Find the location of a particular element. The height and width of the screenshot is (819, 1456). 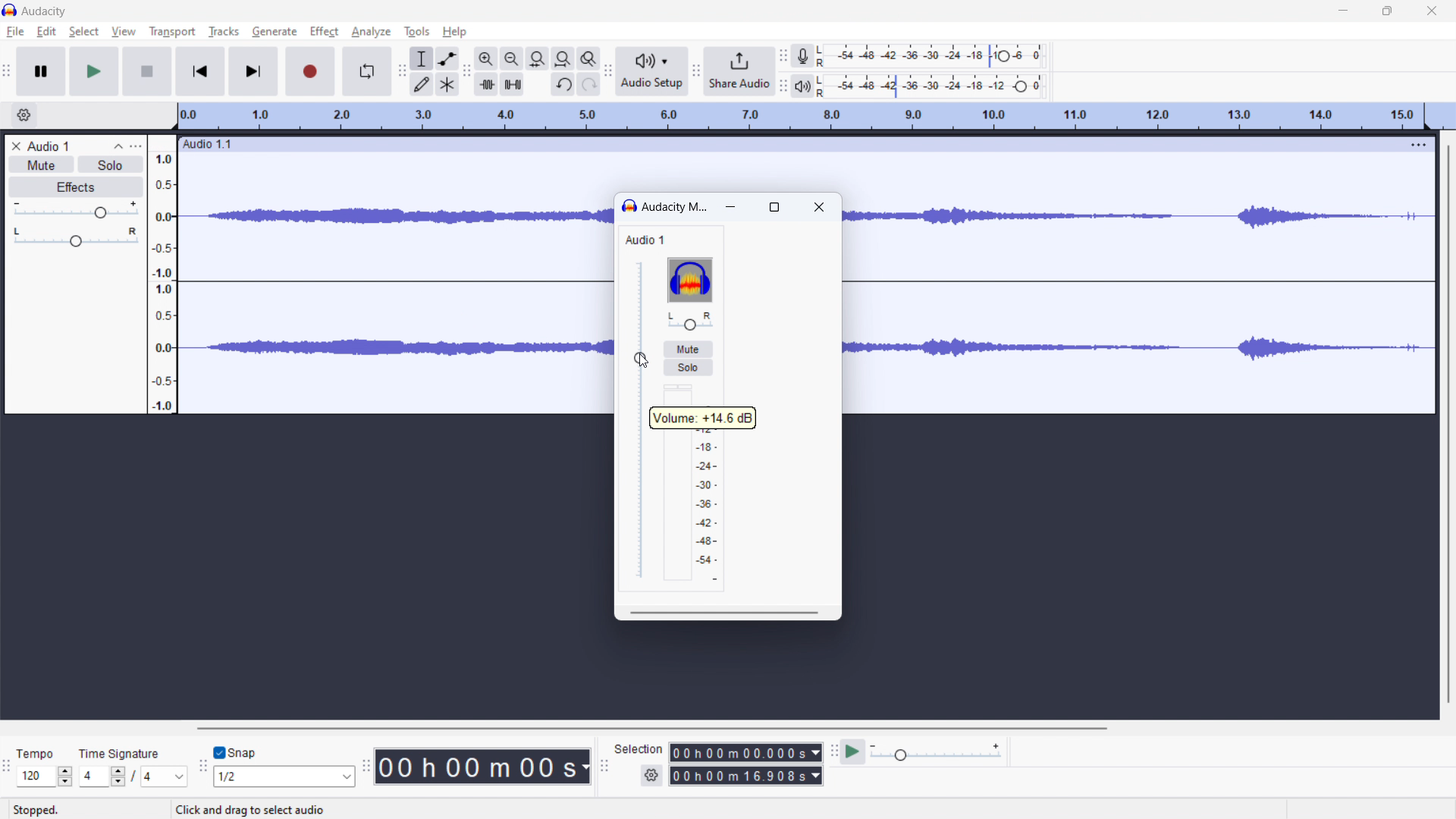

close is located at coordinates (1432, 10).